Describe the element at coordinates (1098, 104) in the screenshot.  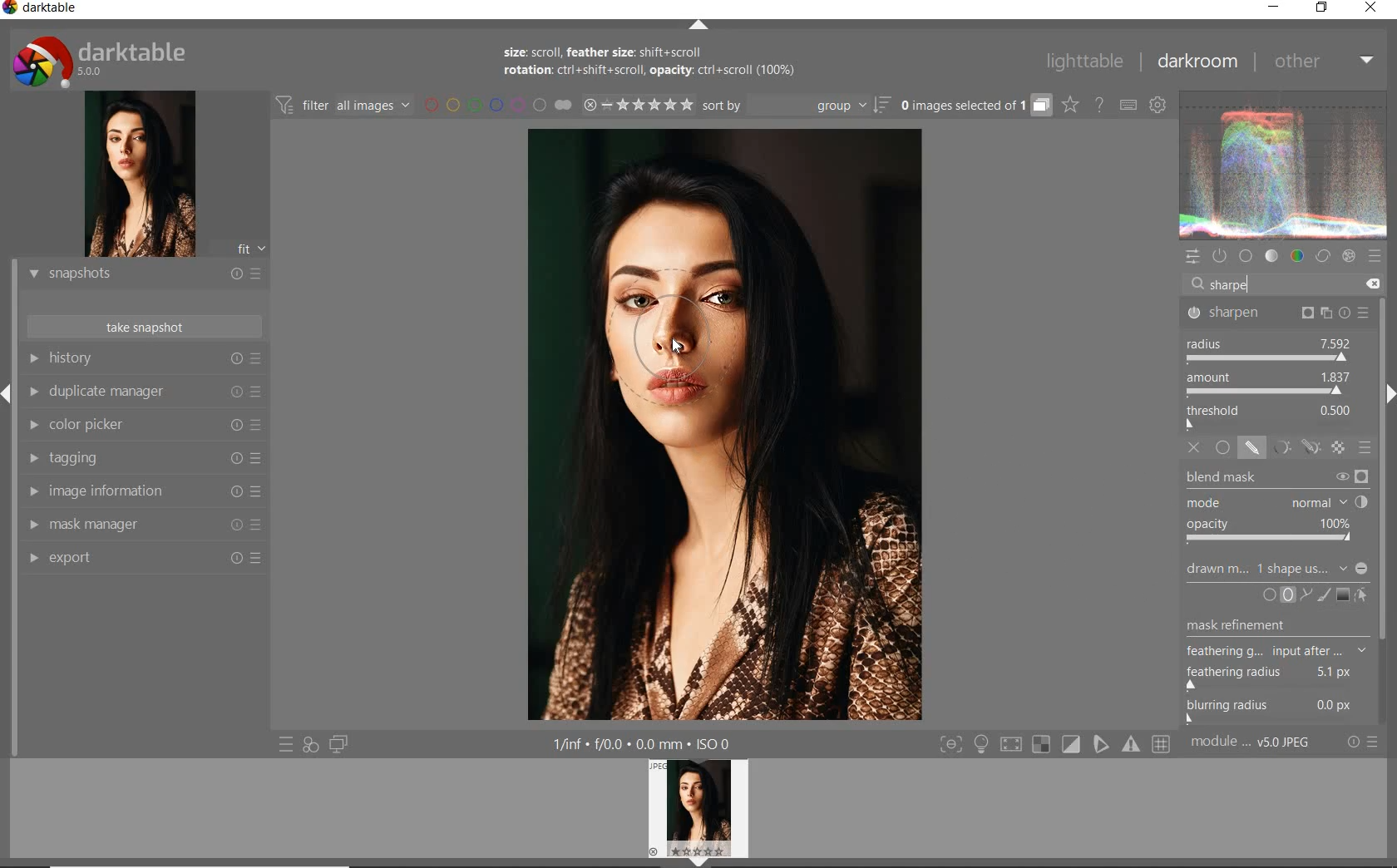
I see `enable online help` at that location.